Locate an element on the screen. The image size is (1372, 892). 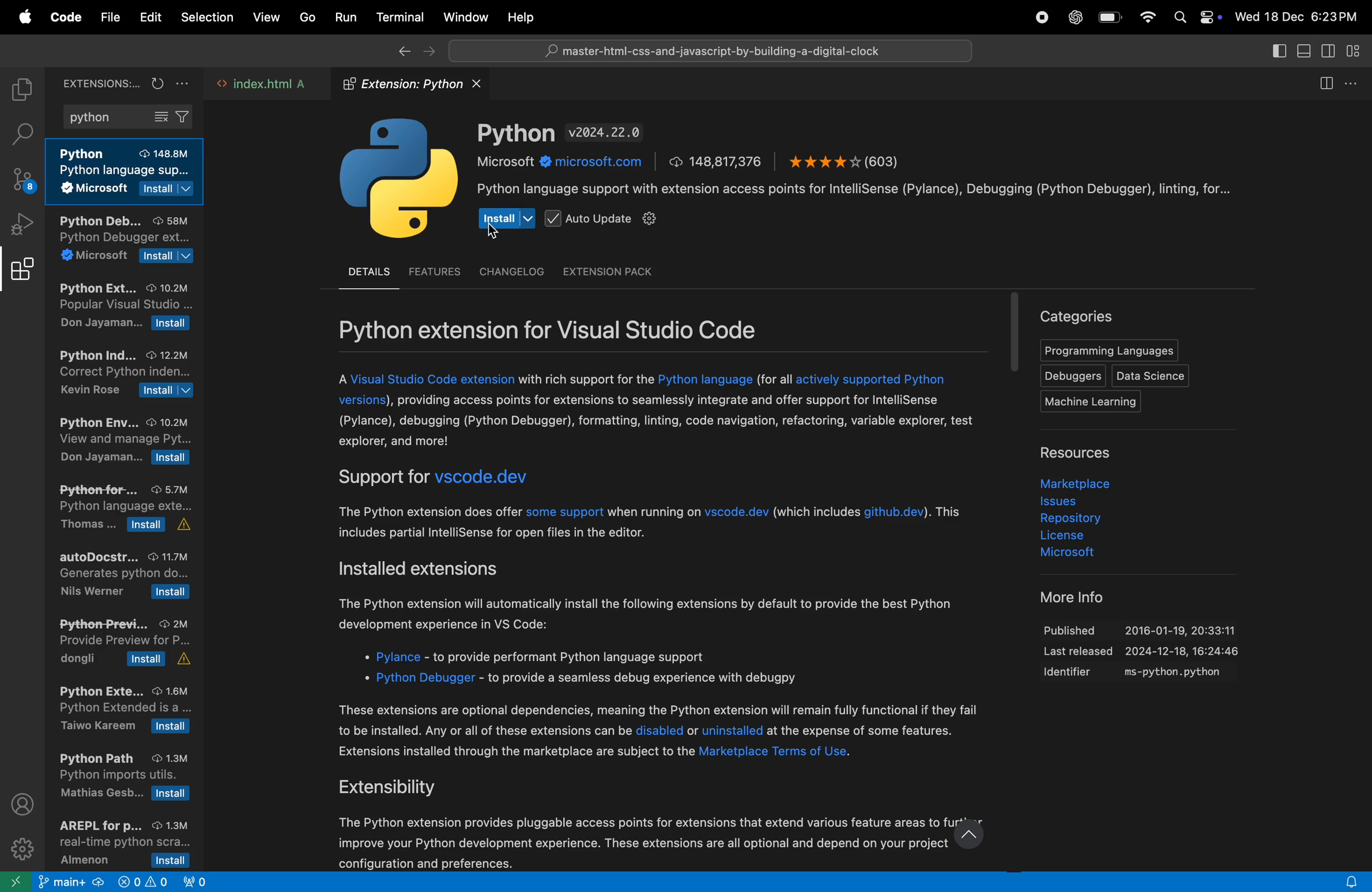
record is located at coordinates (1041, 18).